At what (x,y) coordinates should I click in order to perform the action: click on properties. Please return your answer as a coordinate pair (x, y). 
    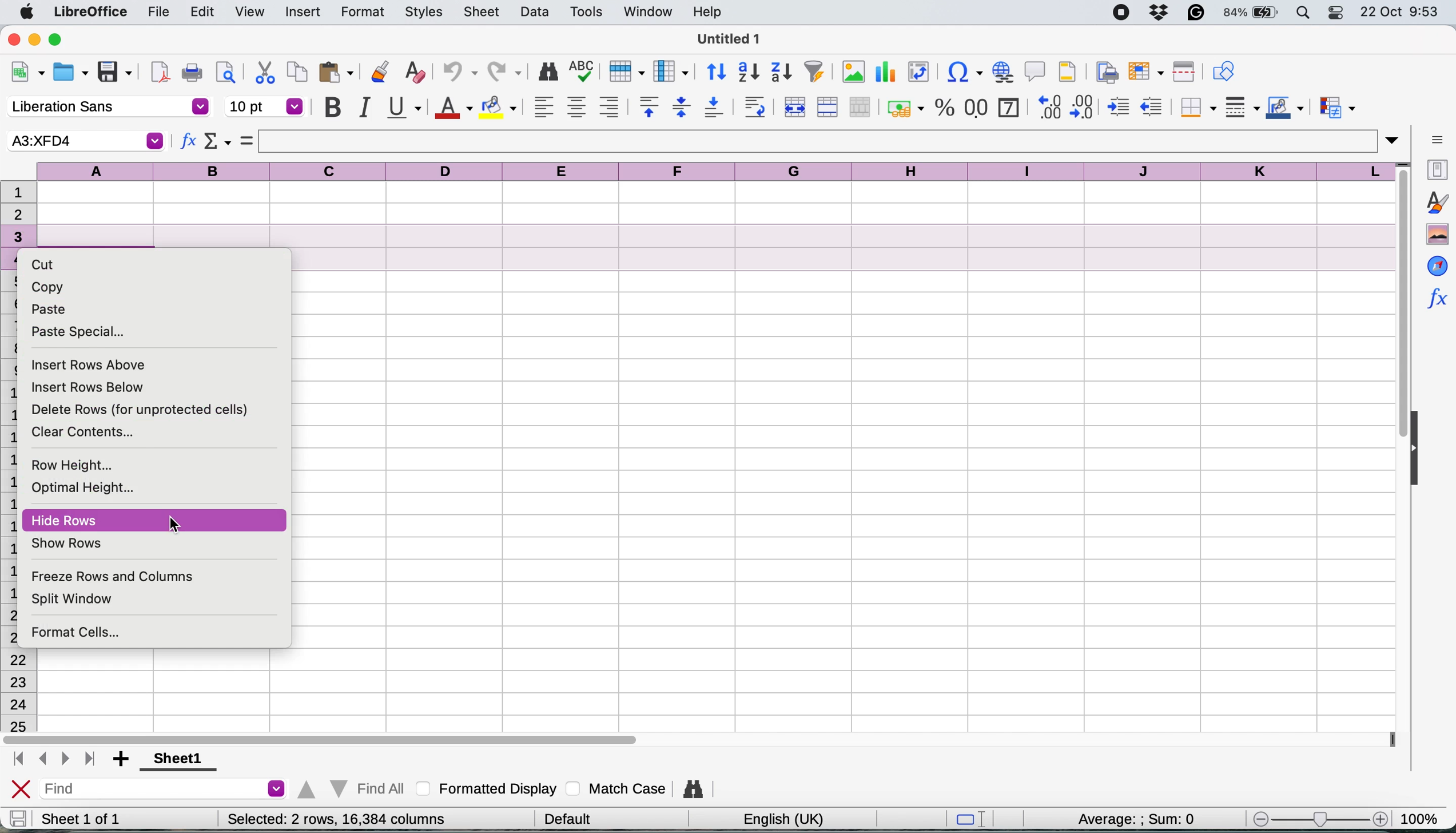
    Looking at the image, I should click on (1435, 168).